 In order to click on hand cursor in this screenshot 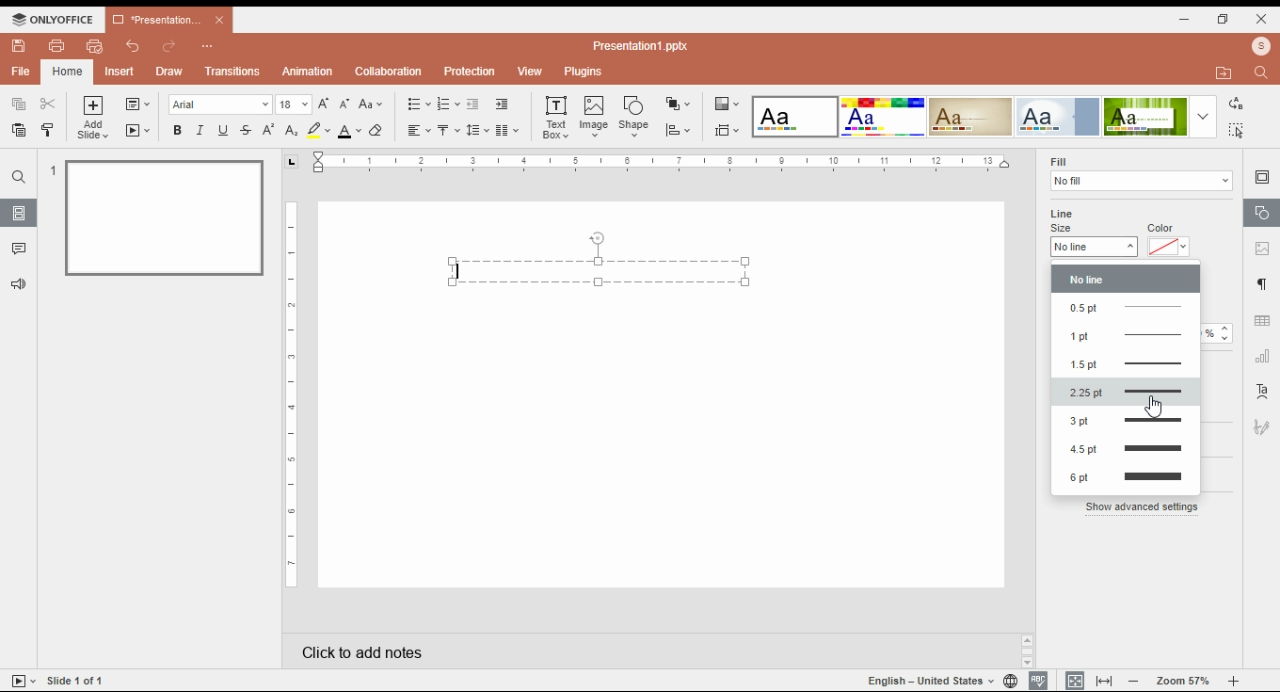, I will do `click(1153, 406)`.